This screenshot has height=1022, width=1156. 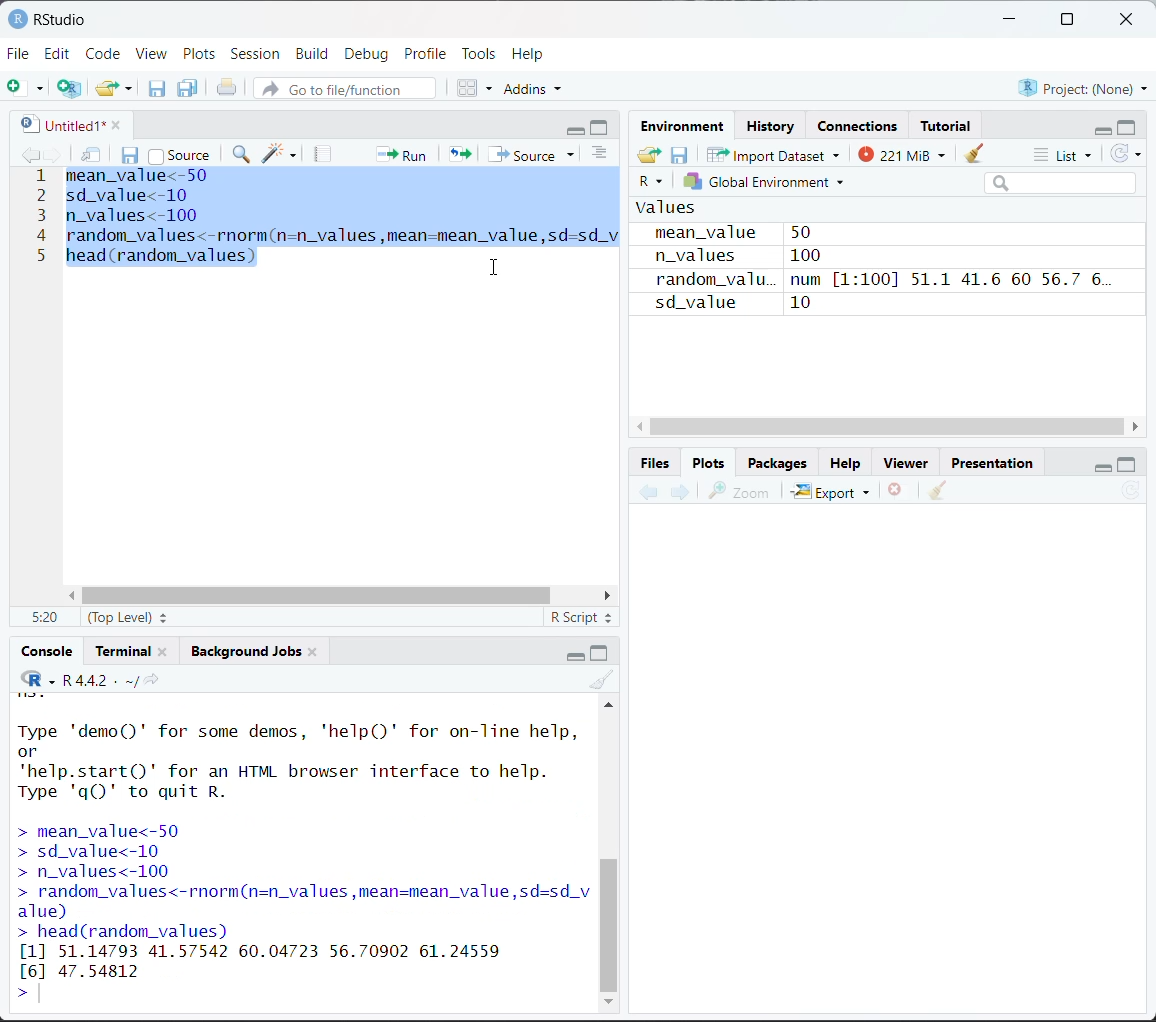 I want to click on new file, so click(x=25, y=88).